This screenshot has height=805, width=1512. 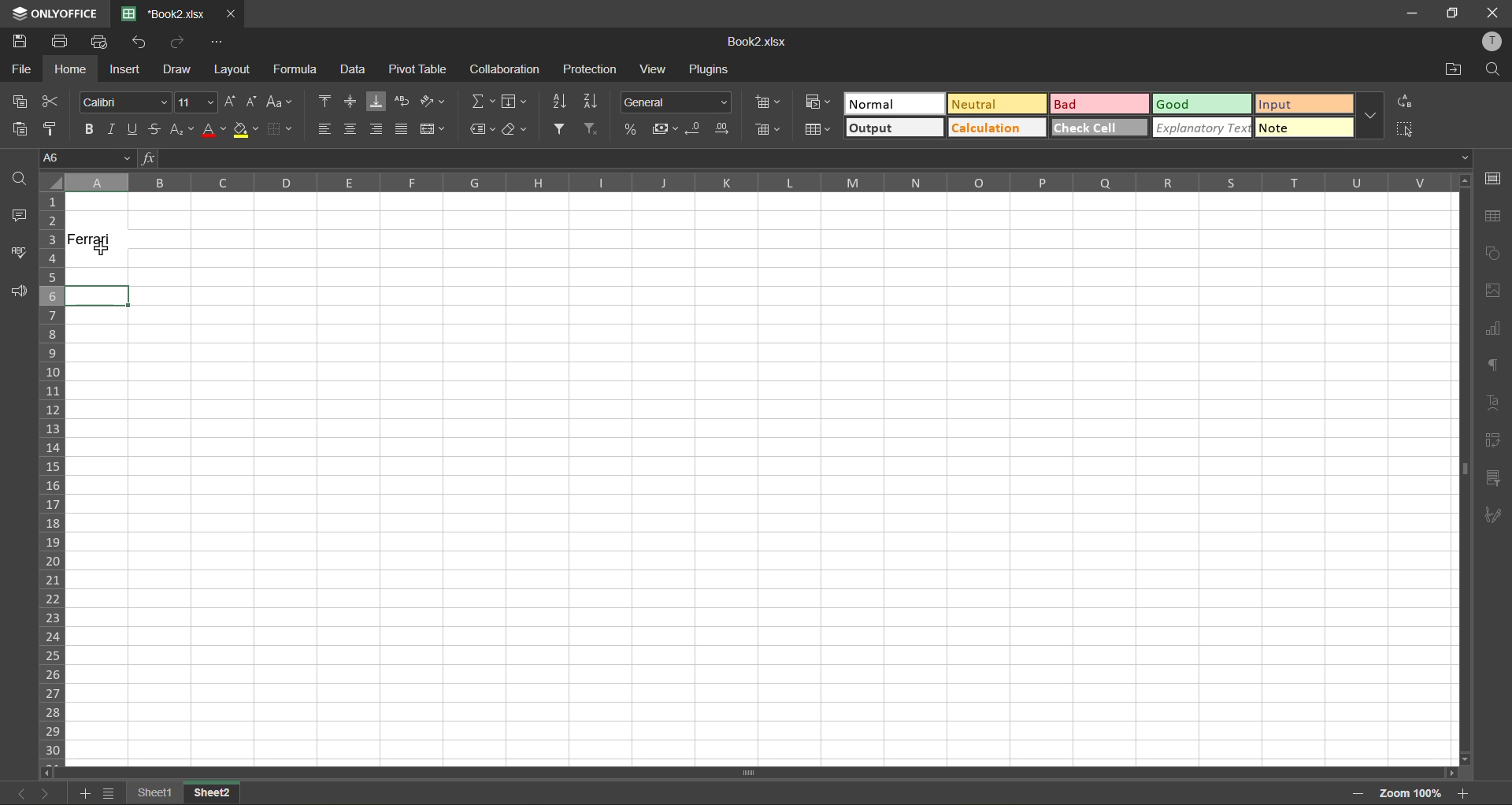 I want to click on wrap text, so click(x=406, y=102).